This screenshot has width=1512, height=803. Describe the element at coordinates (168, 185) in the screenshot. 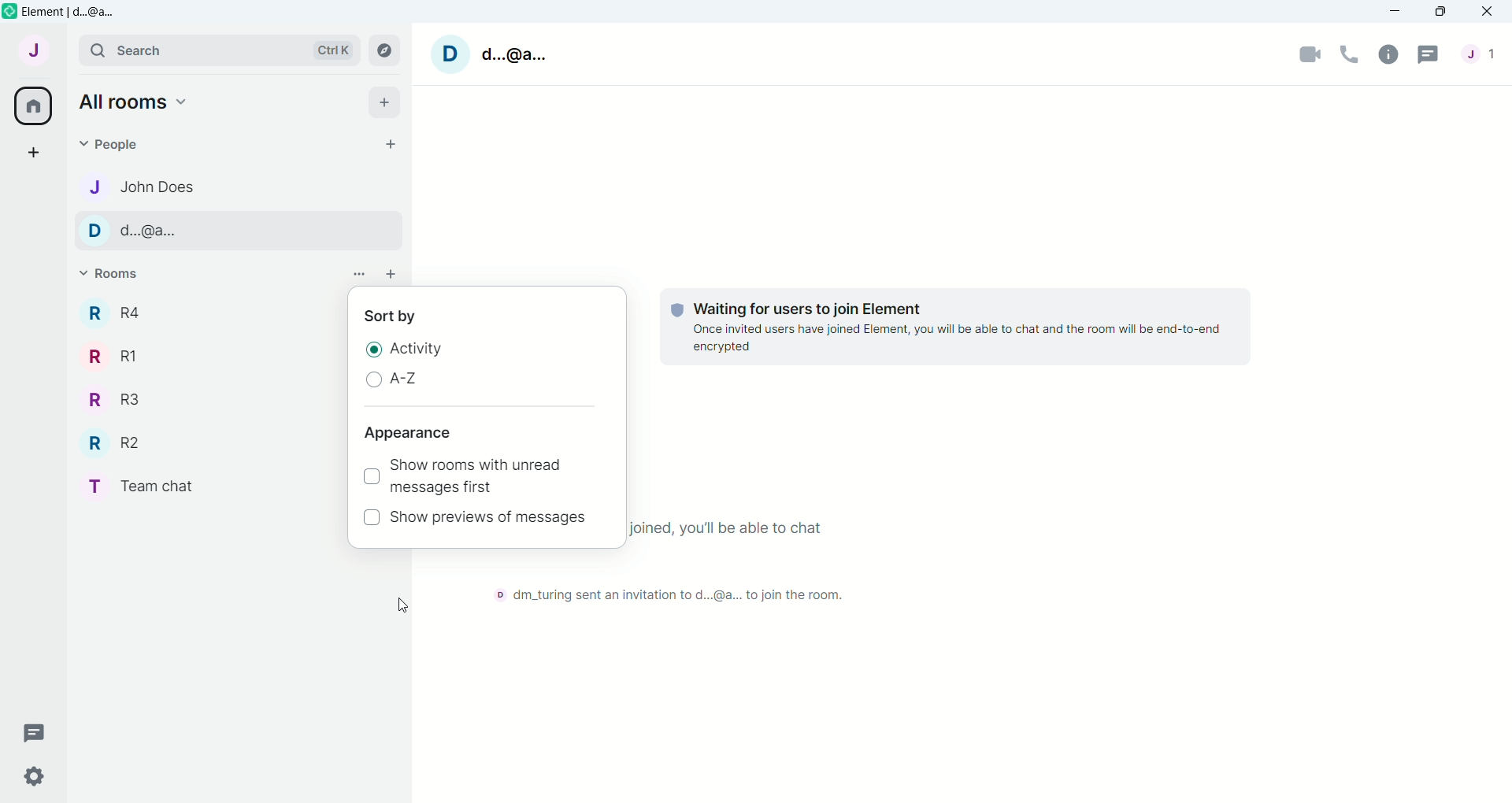

I see `Contact name` at that location.